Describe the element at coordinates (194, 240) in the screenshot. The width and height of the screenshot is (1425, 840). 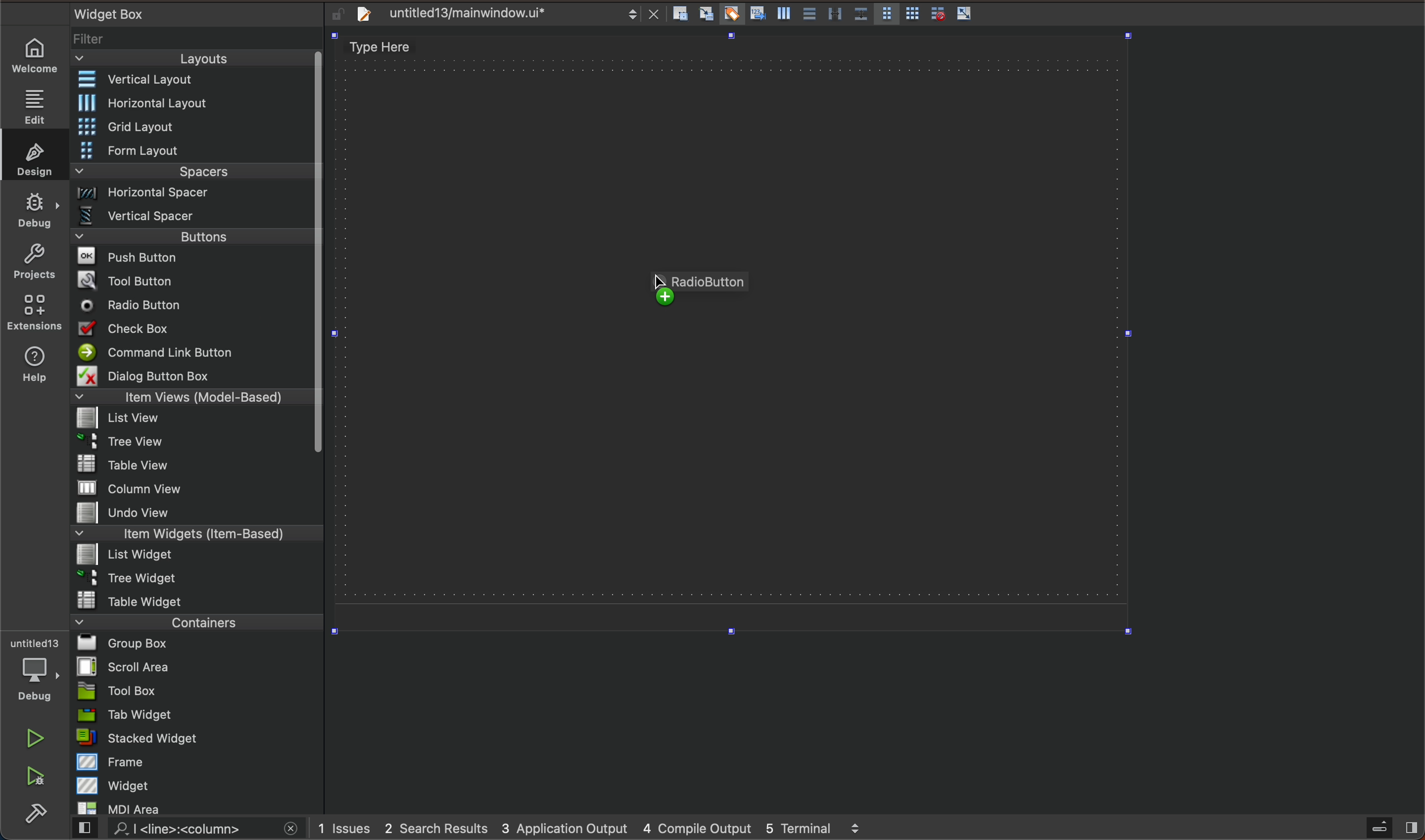
I see `` at that location.